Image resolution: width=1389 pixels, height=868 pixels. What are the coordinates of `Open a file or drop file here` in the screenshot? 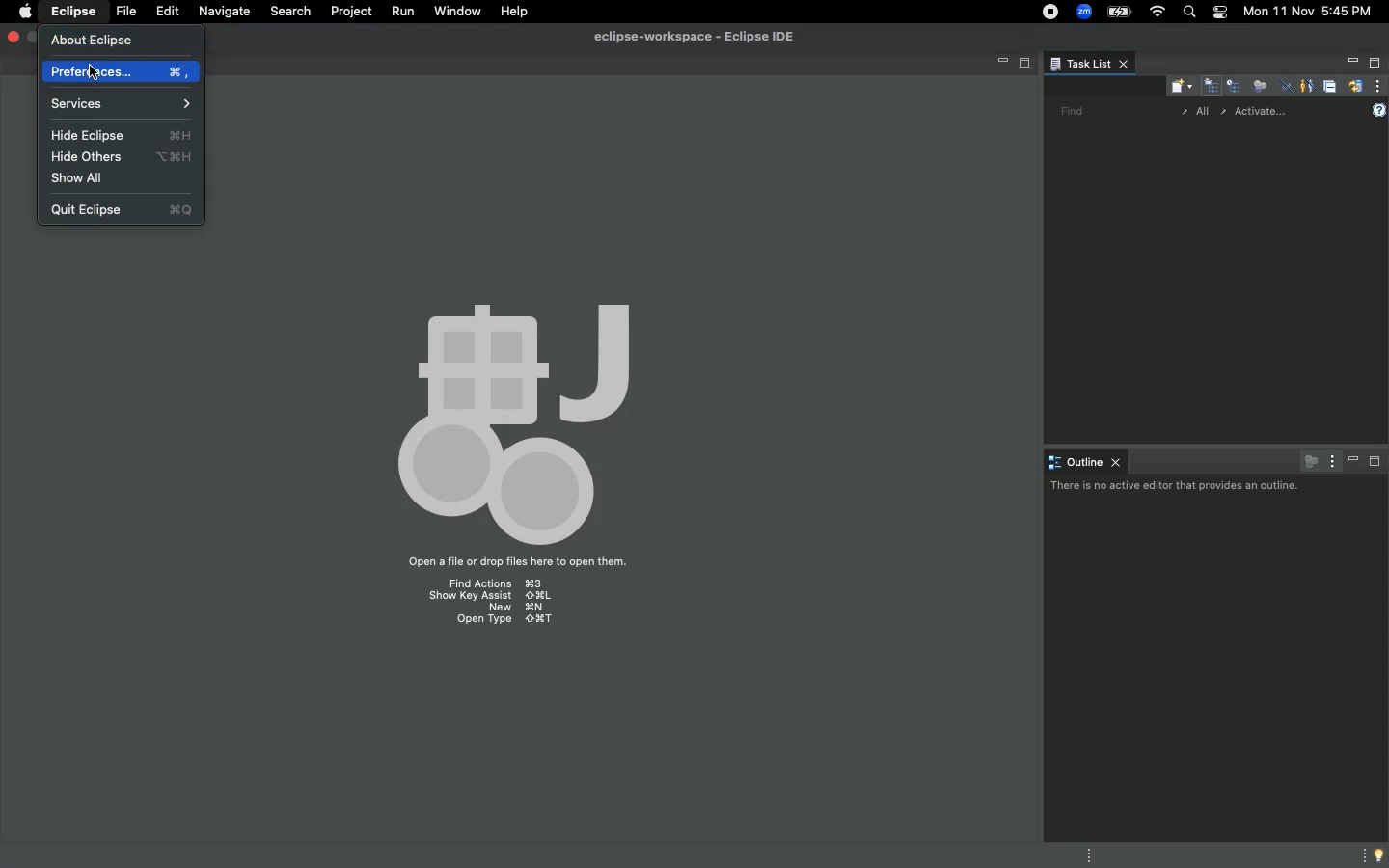 It's located at (533, 561).